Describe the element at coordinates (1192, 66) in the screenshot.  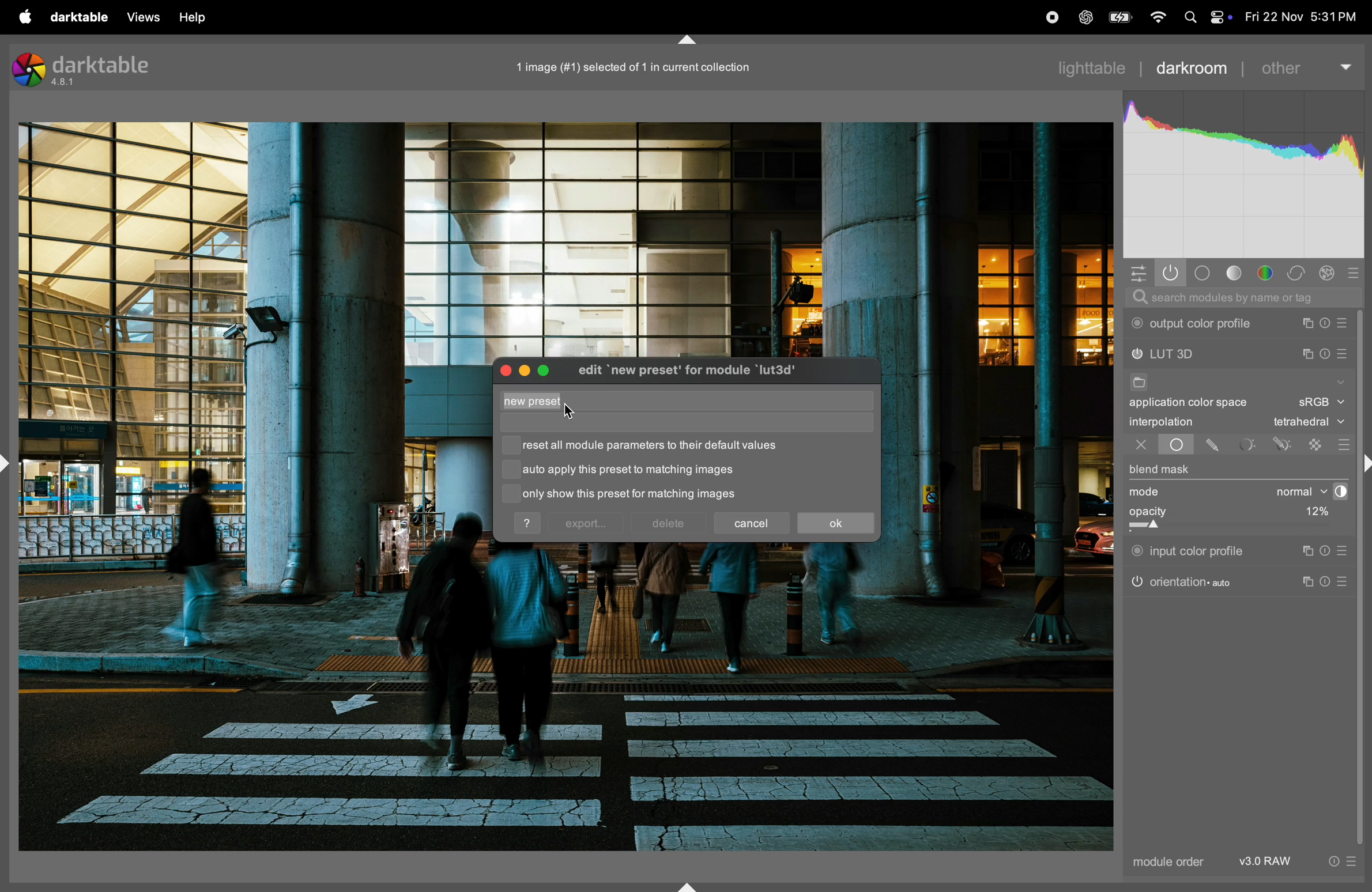
I see `darkroom` at that location.